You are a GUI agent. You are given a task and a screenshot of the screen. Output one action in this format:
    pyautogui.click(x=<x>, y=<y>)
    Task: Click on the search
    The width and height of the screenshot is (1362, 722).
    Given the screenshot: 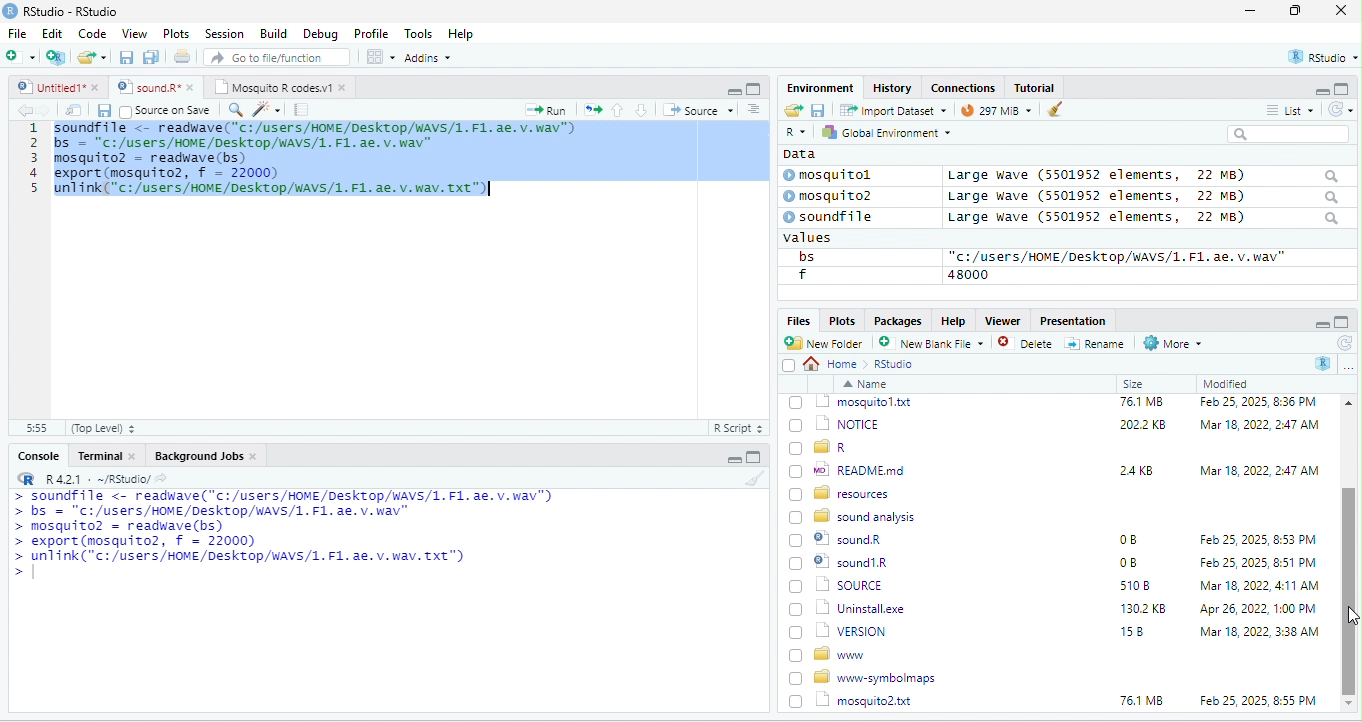 What is the action you would take?
    pyautogui.click(x=235, y=108)
    